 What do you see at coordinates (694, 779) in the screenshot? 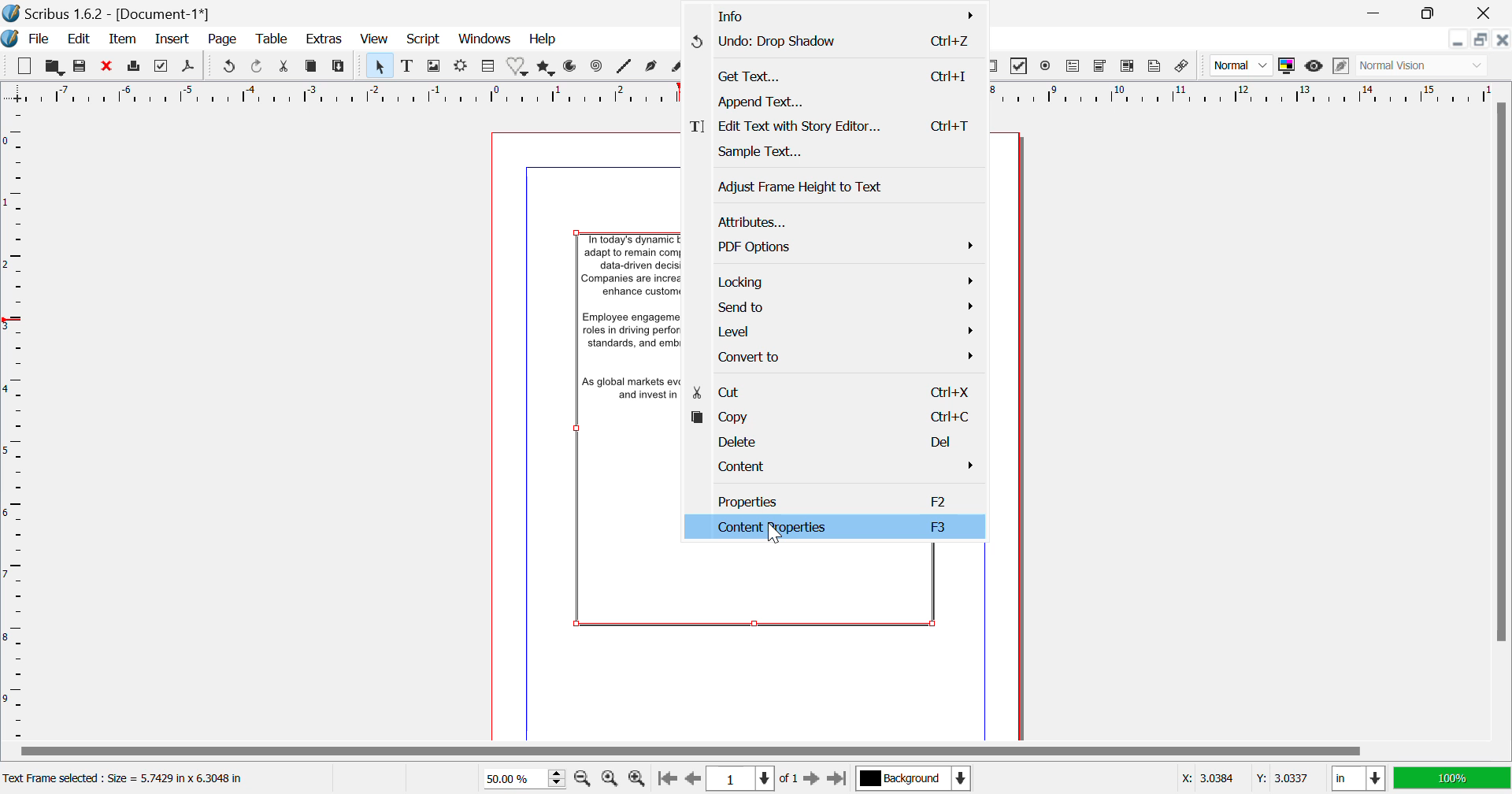
I see `Previous Page` at bounding box center [694, 779].